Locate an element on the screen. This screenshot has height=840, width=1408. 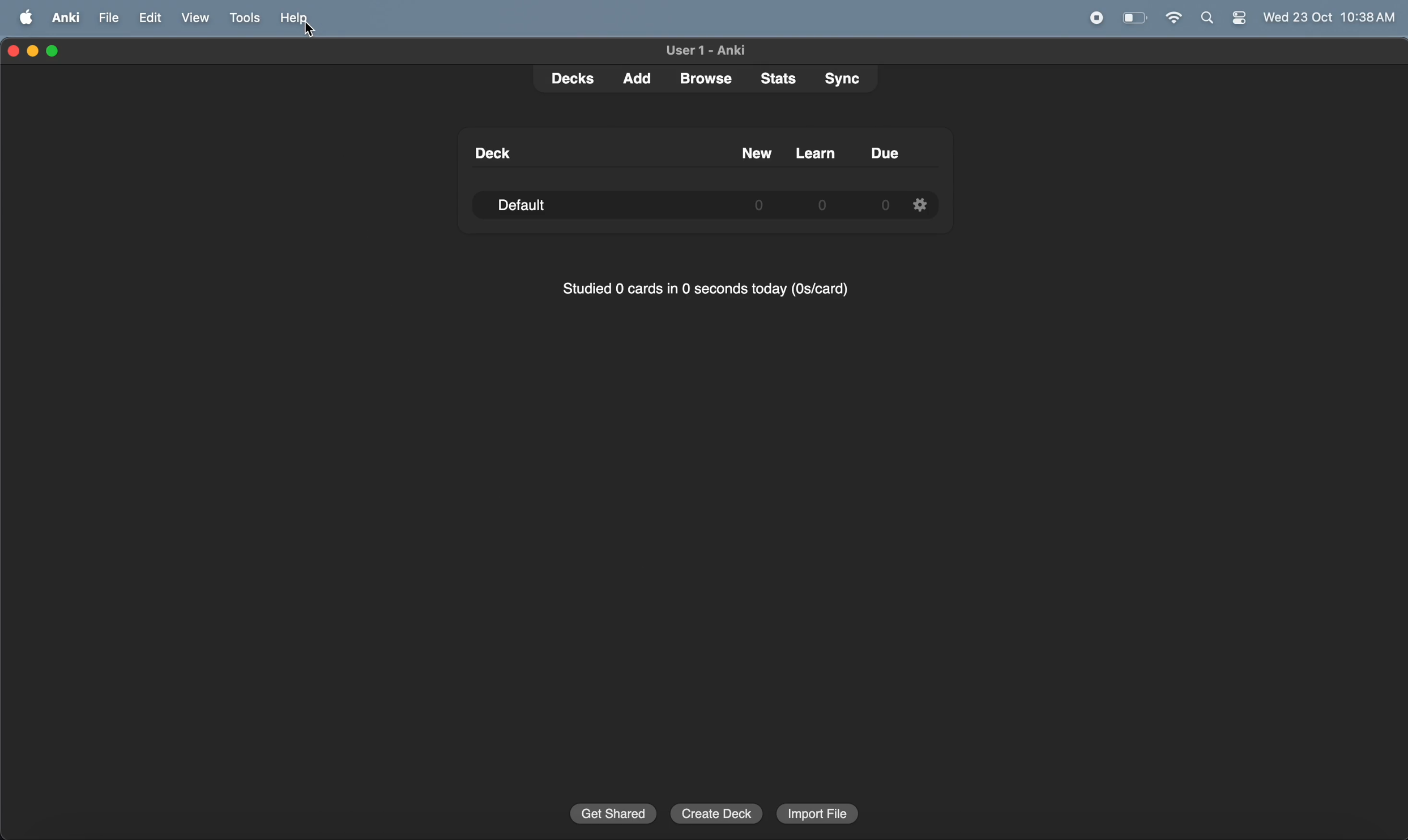
studied 0 cards in 0 seconds today is located at coordinates (701, 292).